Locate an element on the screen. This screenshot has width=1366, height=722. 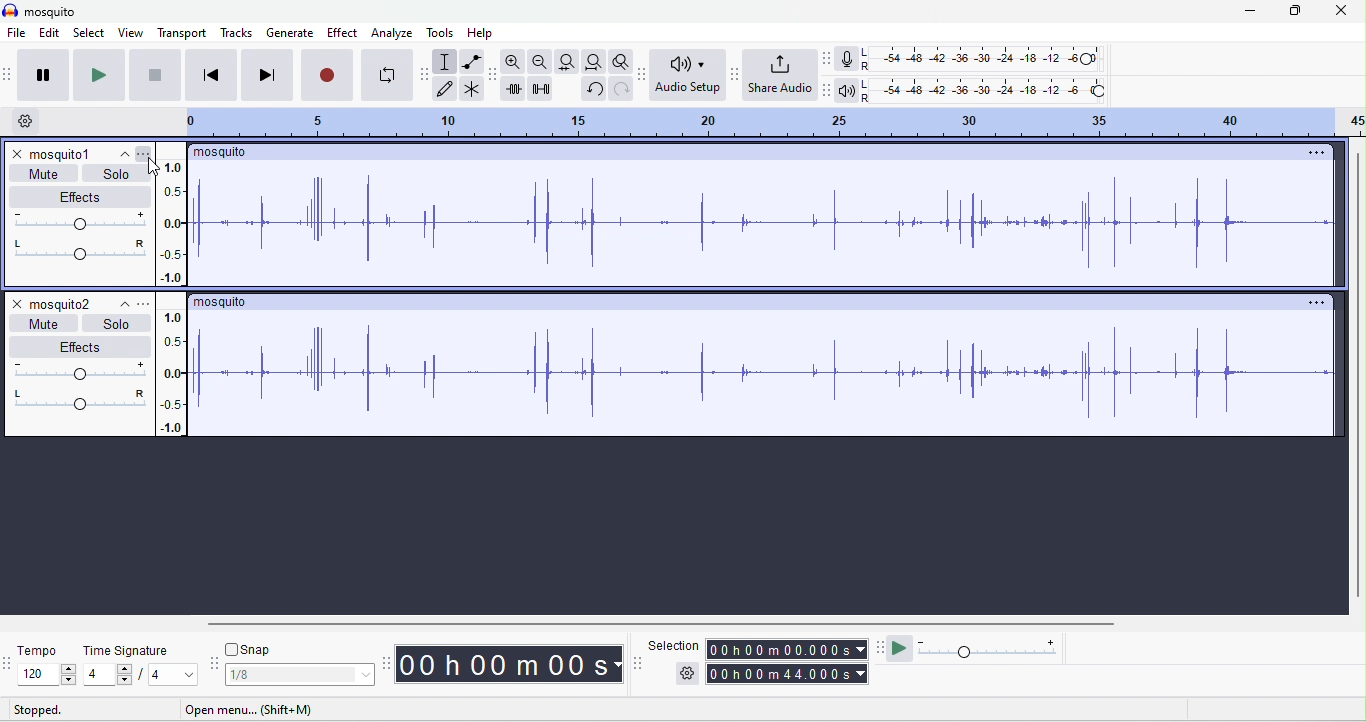
effects is located at coordinates (81, 346).